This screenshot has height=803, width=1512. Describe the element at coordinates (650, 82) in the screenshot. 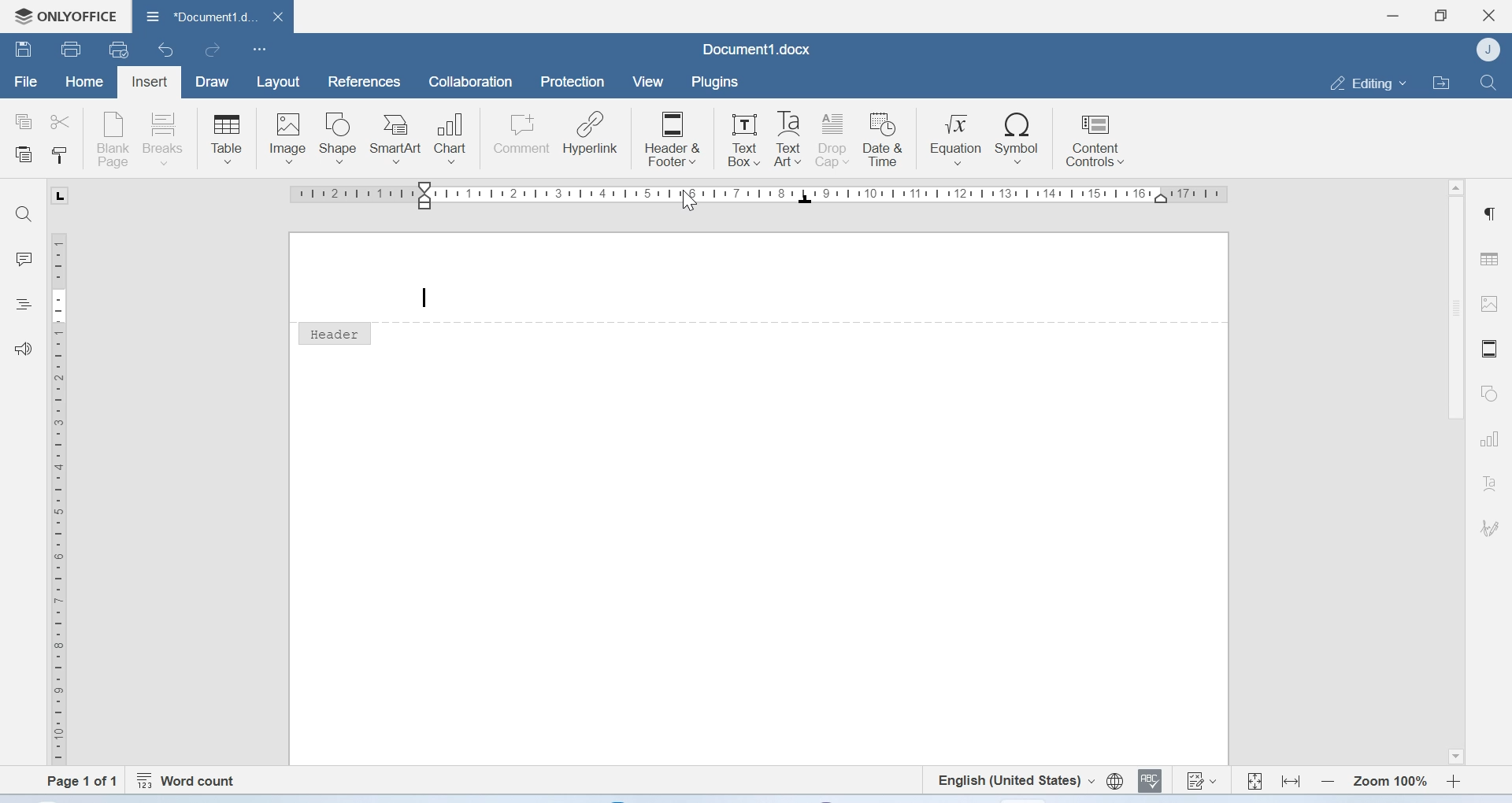

I see `View` at that location.